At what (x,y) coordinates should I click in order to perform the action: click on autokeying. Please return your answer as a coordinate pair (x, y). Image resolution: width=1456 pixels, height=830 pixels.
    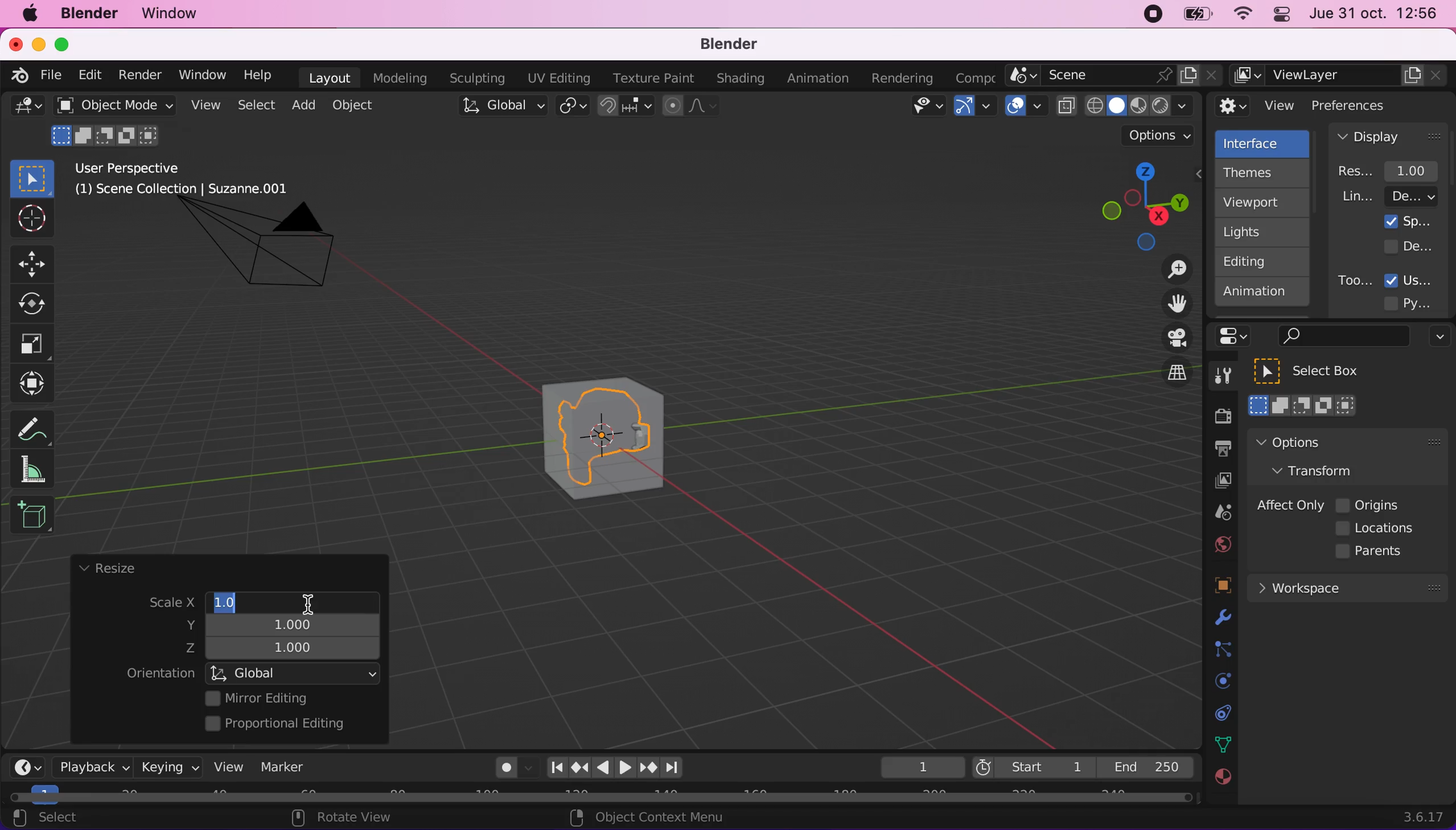
    Looking at the image, I should click on (507, 771).